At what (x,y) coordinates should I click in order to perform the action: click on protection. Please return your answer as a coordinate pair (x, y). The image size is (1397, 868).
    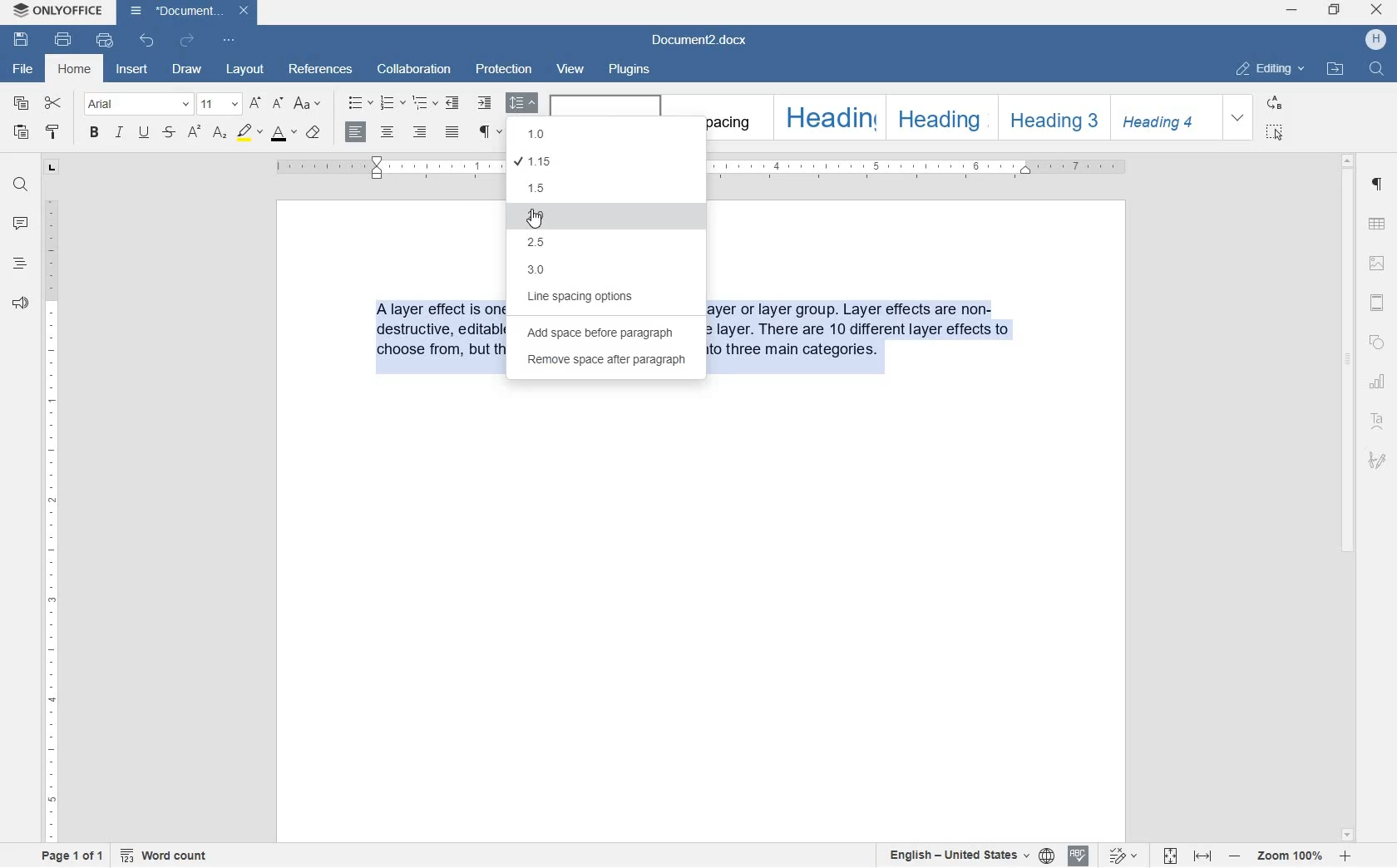
    Looking at the image, I should click on (501, 71).